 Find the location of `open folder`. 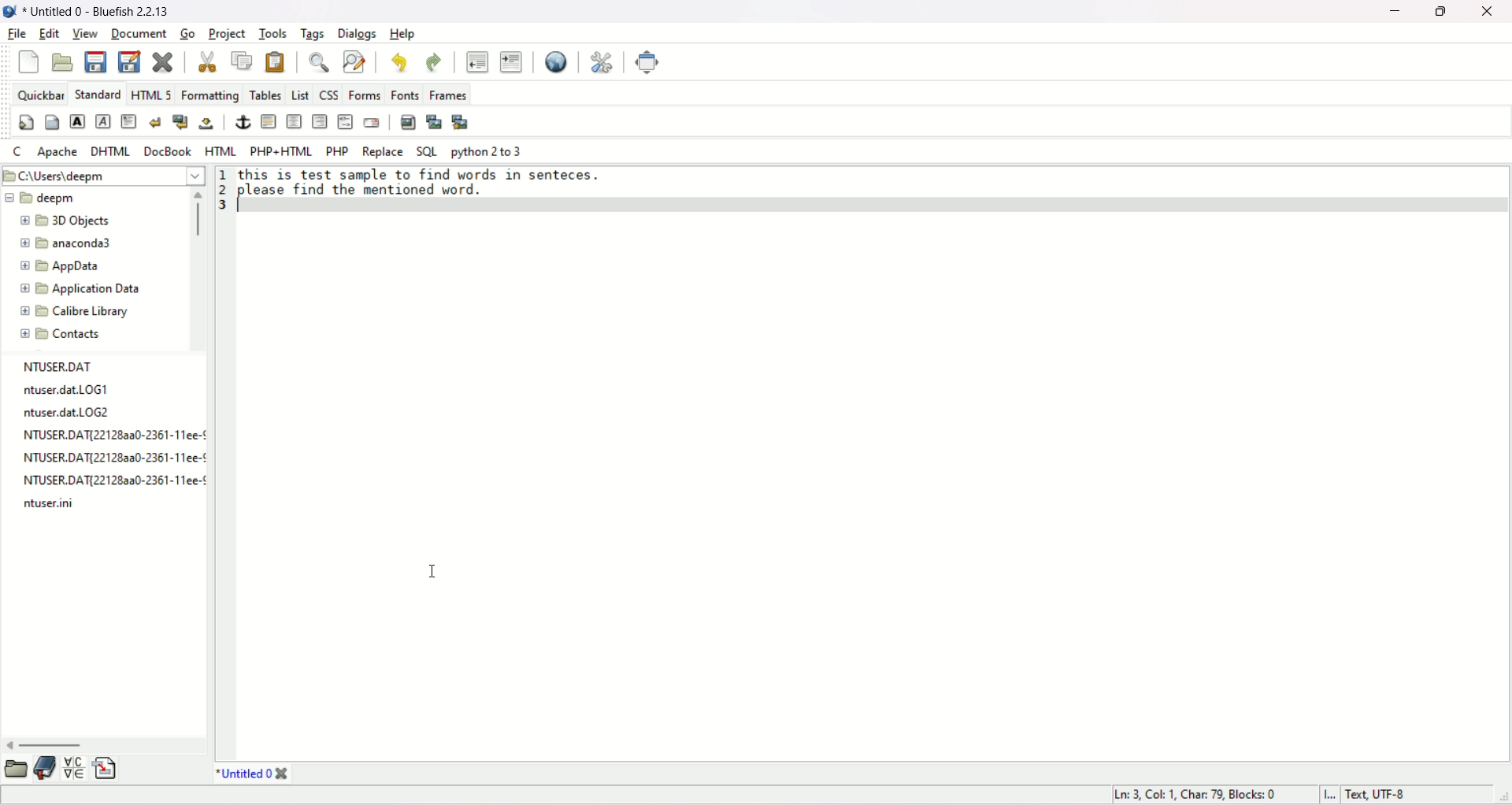

open folder is located at coordinates (14, 768).